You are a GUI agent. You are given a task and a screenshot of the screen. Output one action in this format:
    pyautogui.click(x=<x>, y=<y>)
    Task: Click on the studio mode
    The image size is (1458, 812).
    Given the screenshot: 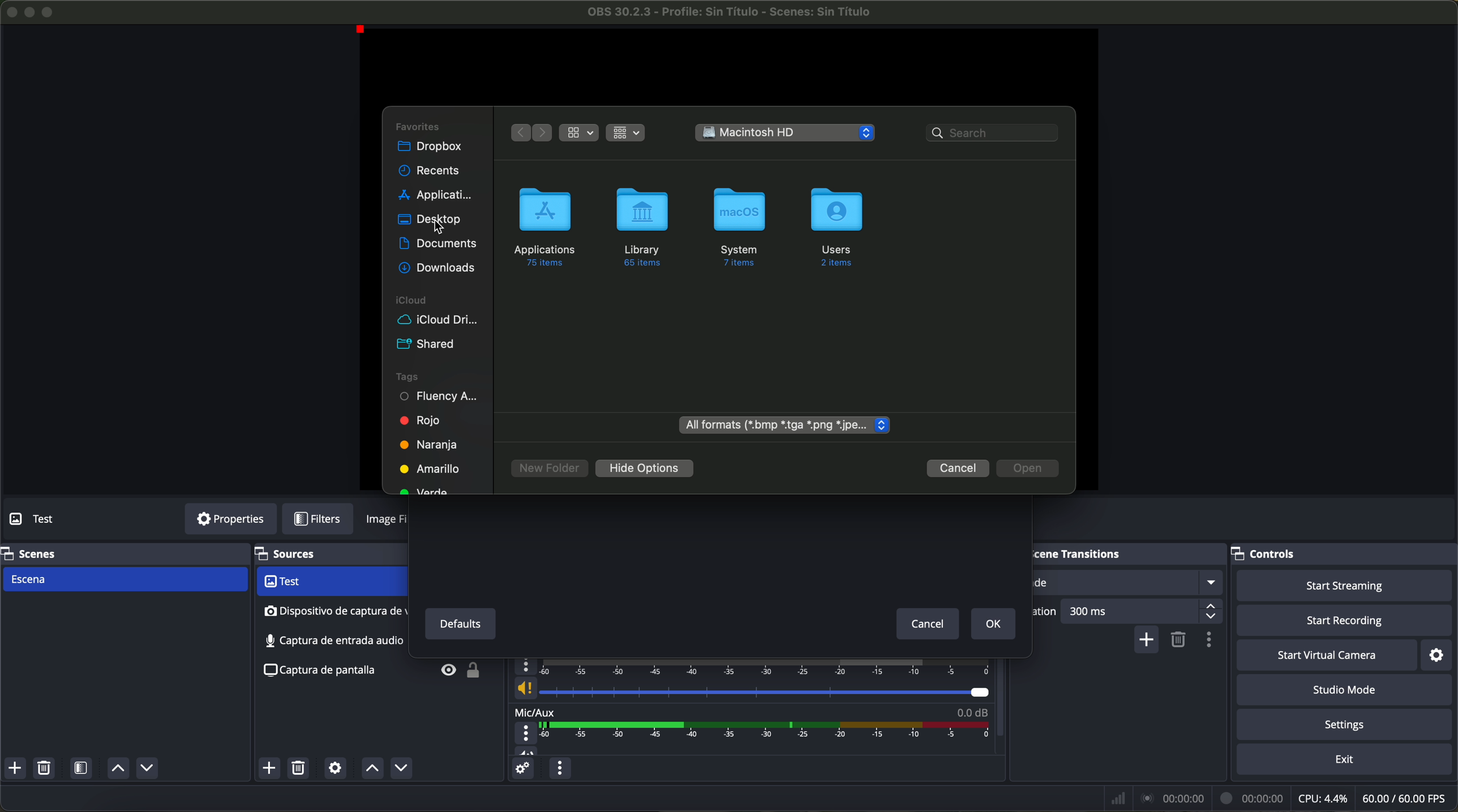 What is the action you would take?
    pyautogui.click(x=1345, y=690)
    